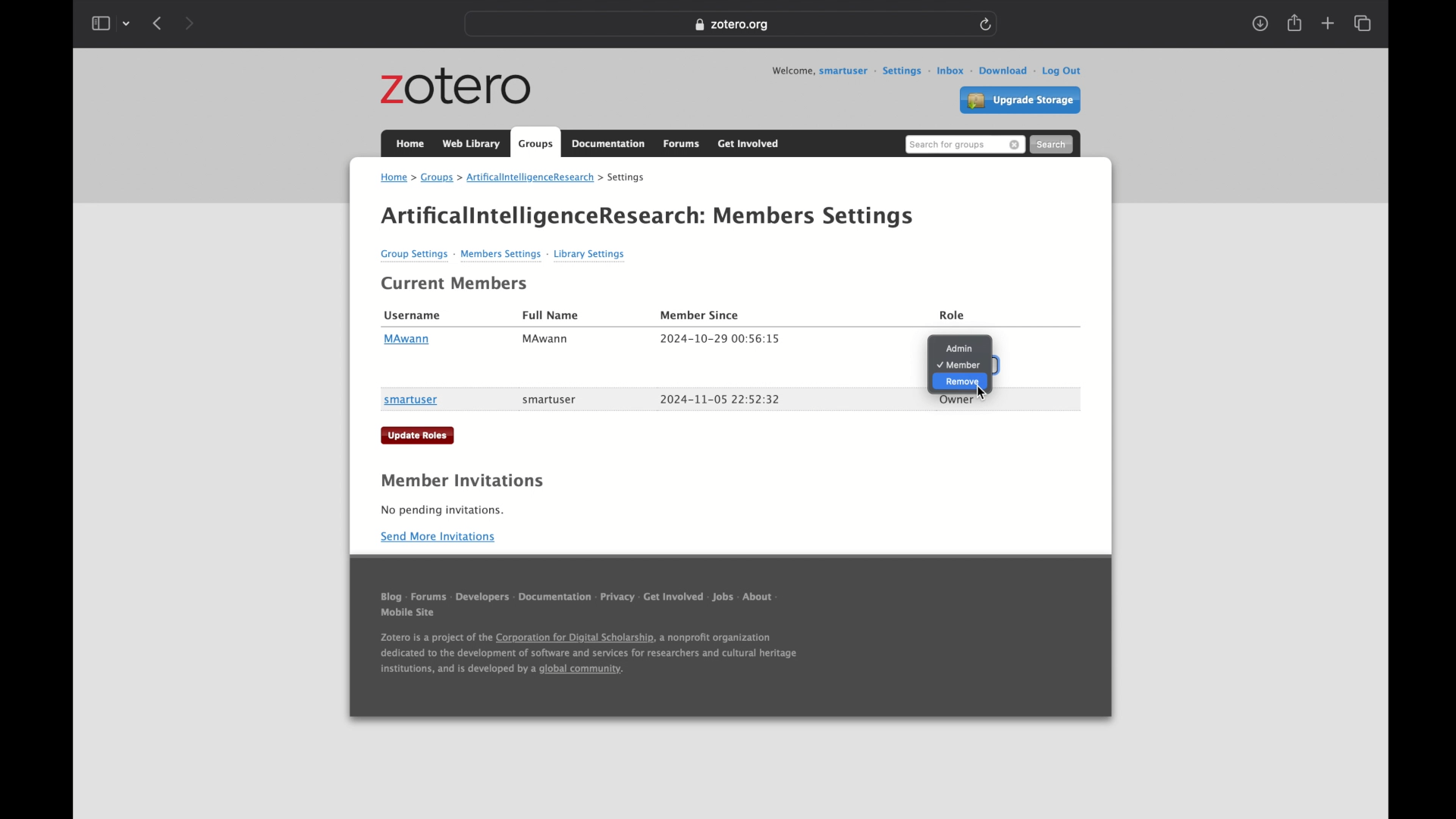  Describe the element at coordinates (815, 217) in the screenshot. I see `members settings` at that location.